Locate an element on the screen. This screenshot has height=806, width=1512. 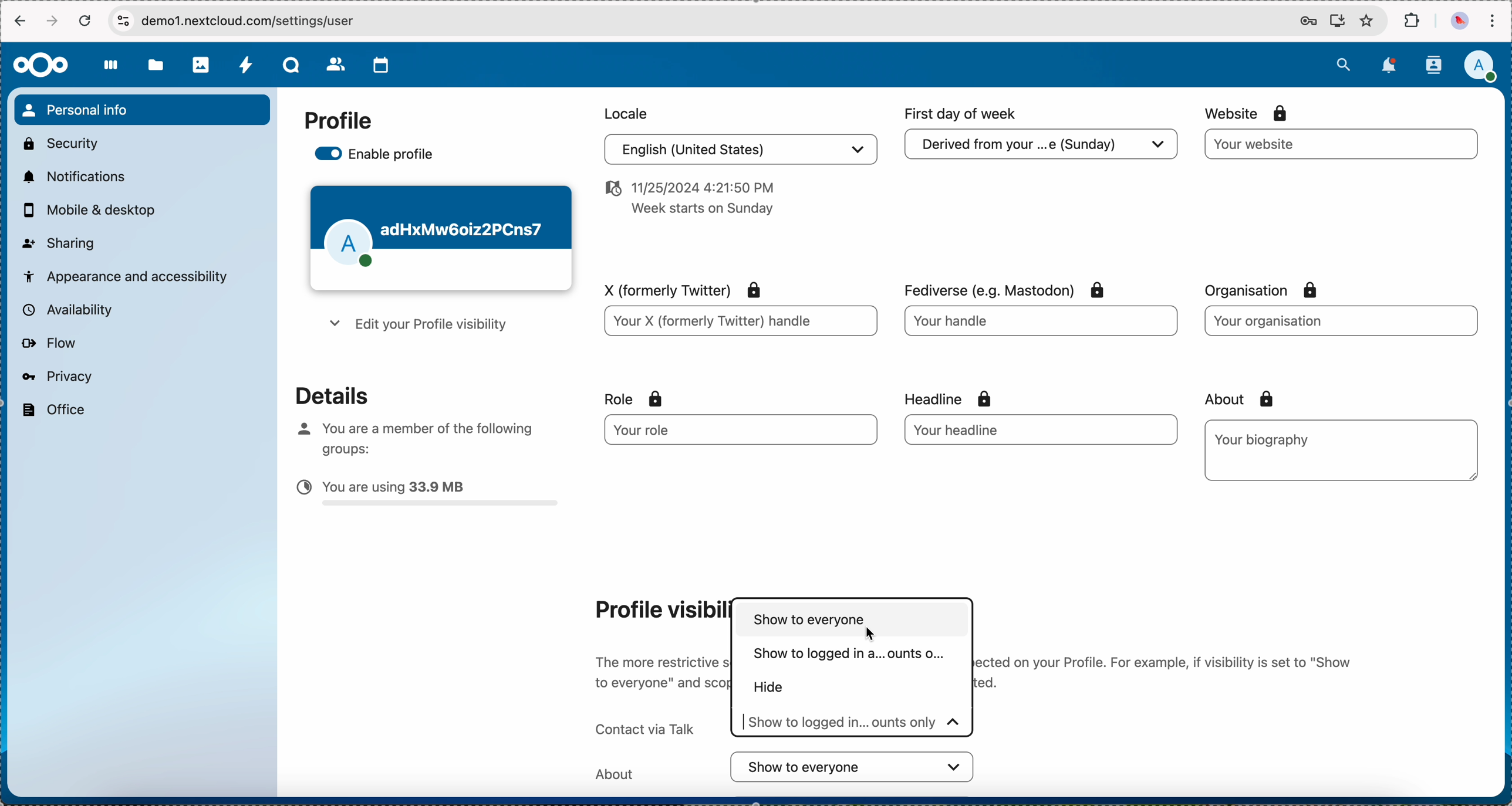
website is located at coordinates (1248, 113).